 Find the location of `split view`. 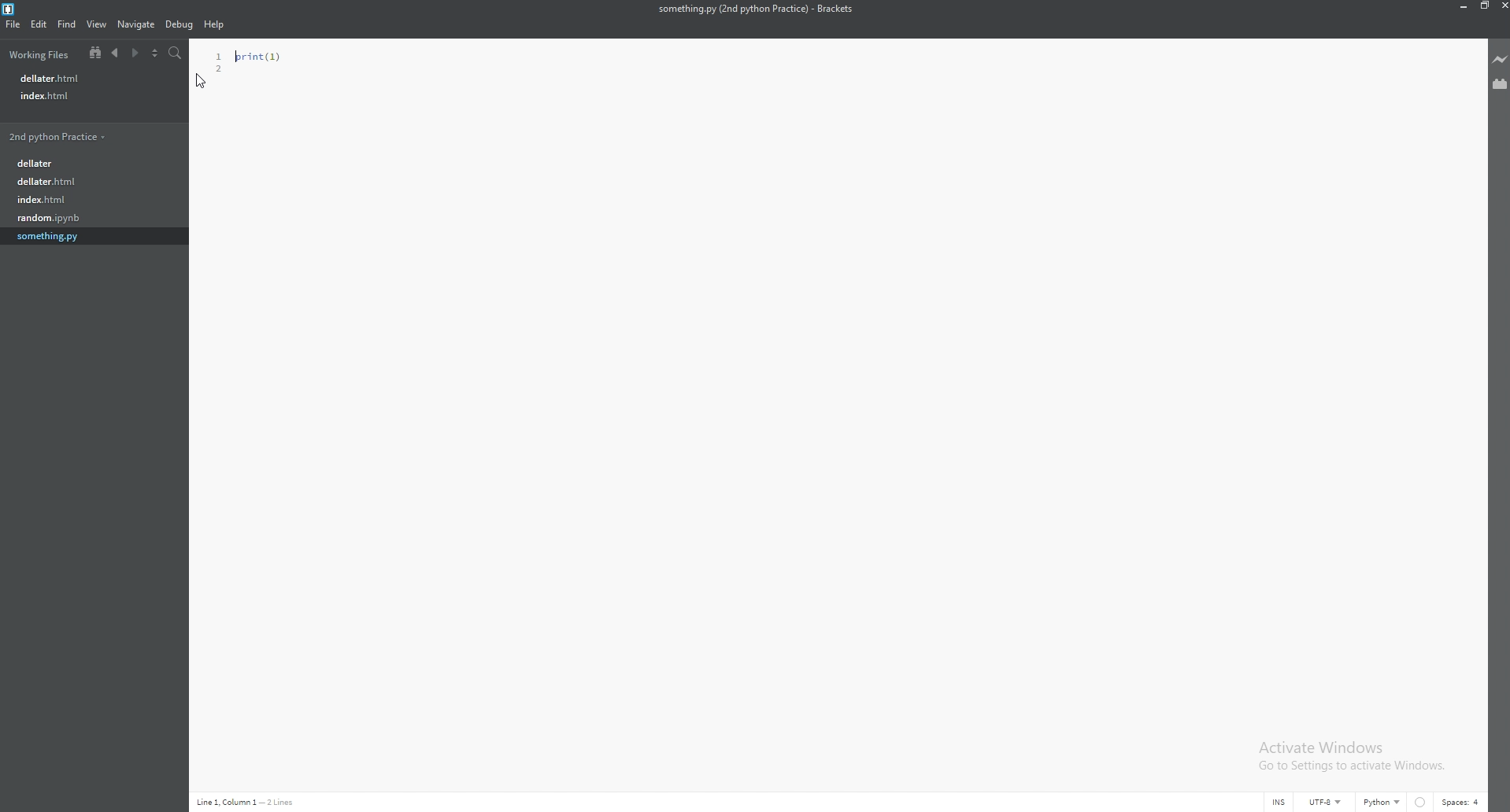

split view is located at coordinates (155, 53).